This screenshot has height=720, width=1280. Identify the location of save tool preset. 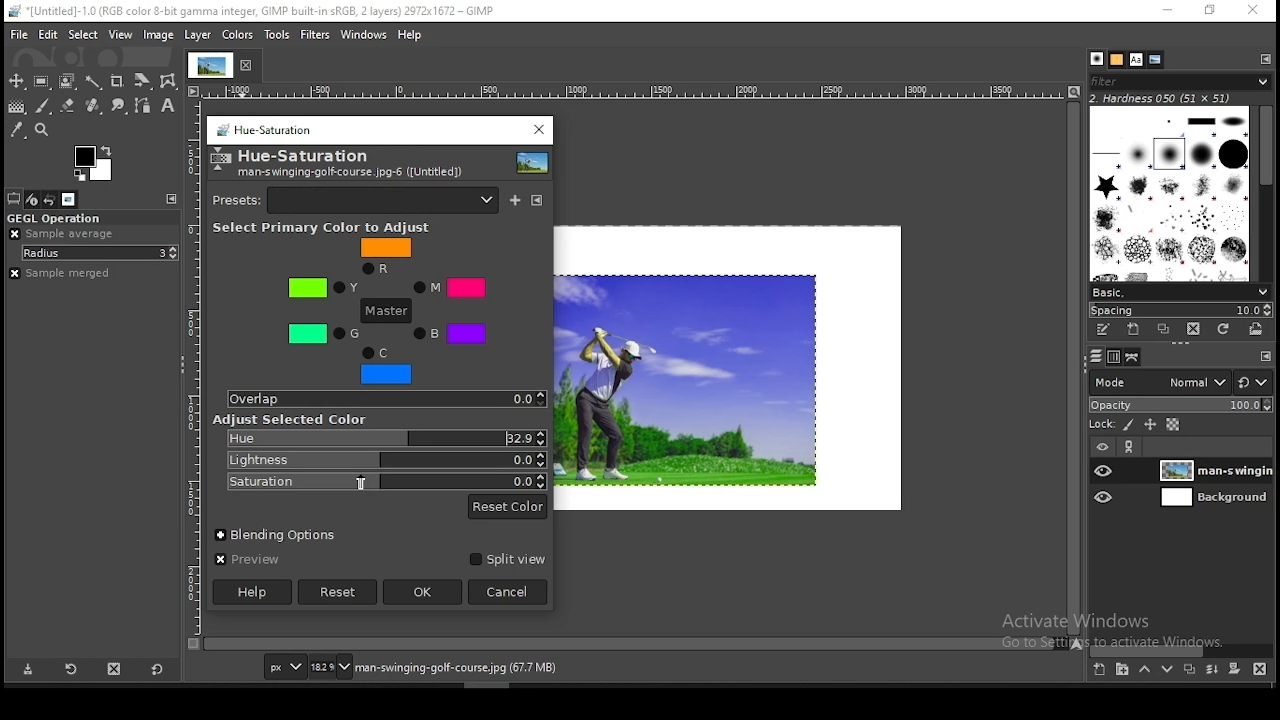
(32, 669).